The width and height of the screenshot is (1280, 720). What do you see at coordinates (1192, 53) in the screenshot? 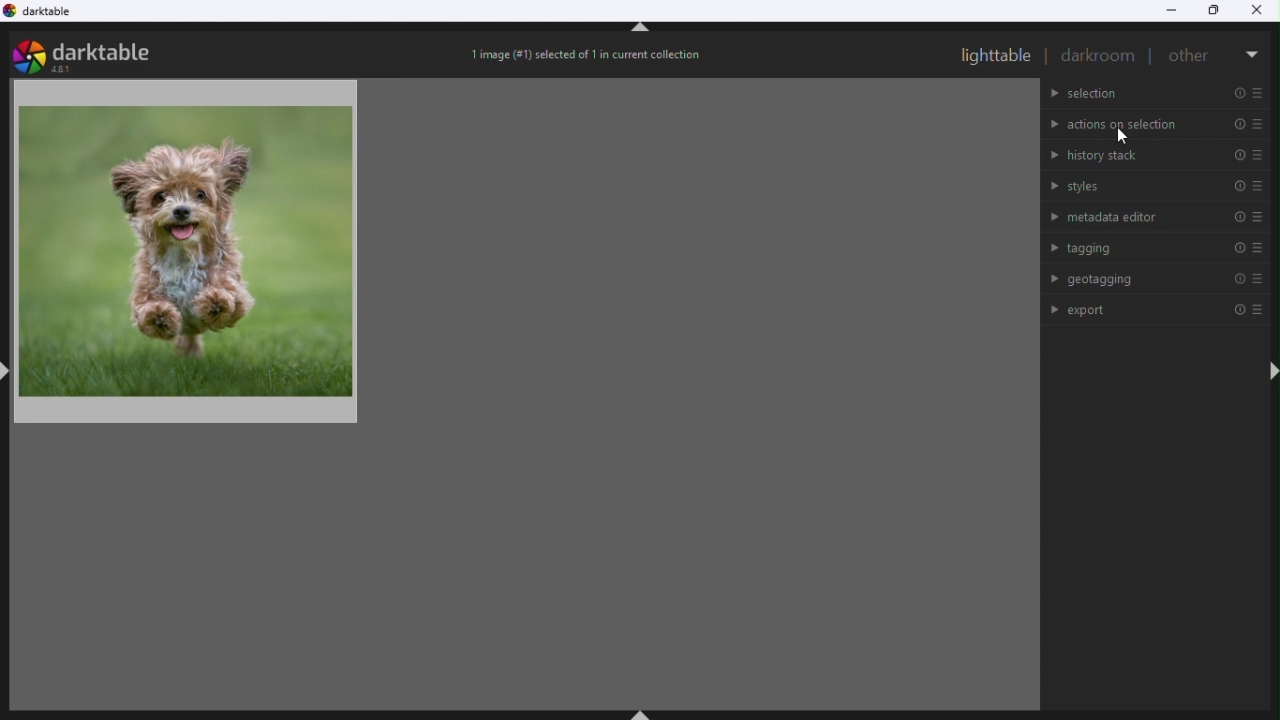
I see `Other` at bounding box center [1192, 53].